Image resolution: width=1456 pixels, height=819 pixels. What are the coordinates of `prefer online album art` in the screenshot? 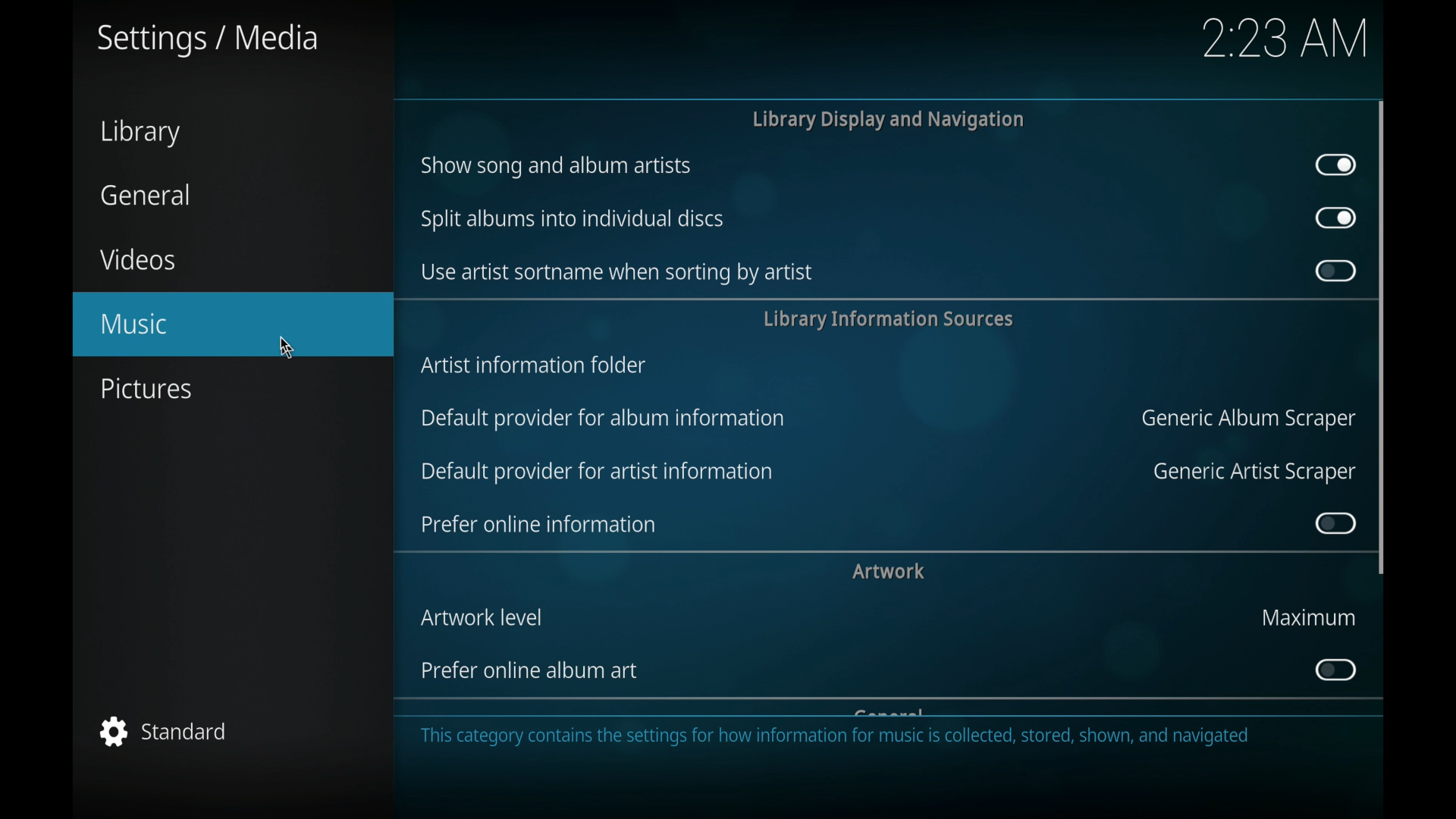 It's located at (532, 670).